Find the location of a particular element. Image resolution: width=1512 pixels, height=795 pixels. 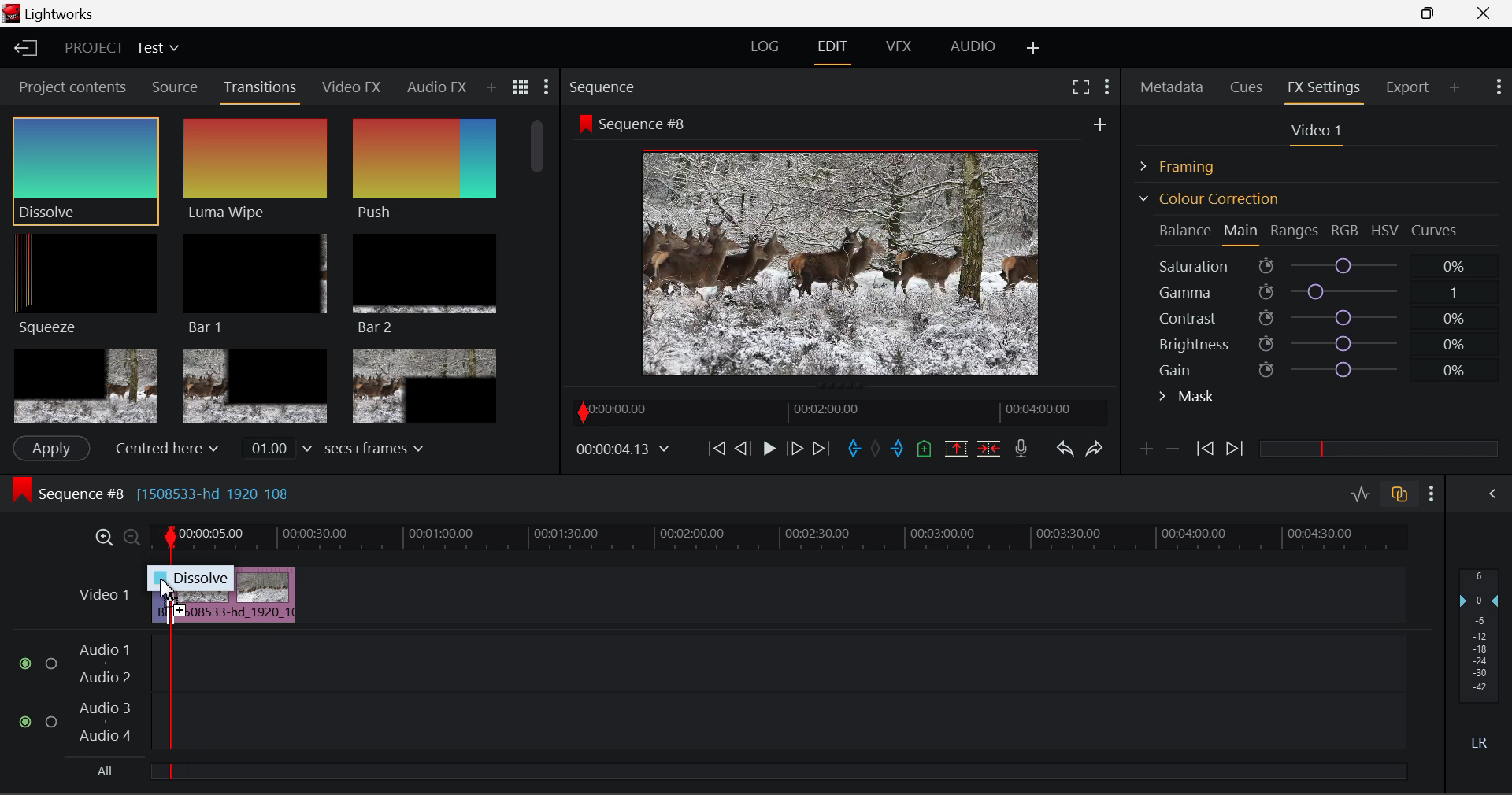

Remove All Marks is located at coordinates (877, 450).